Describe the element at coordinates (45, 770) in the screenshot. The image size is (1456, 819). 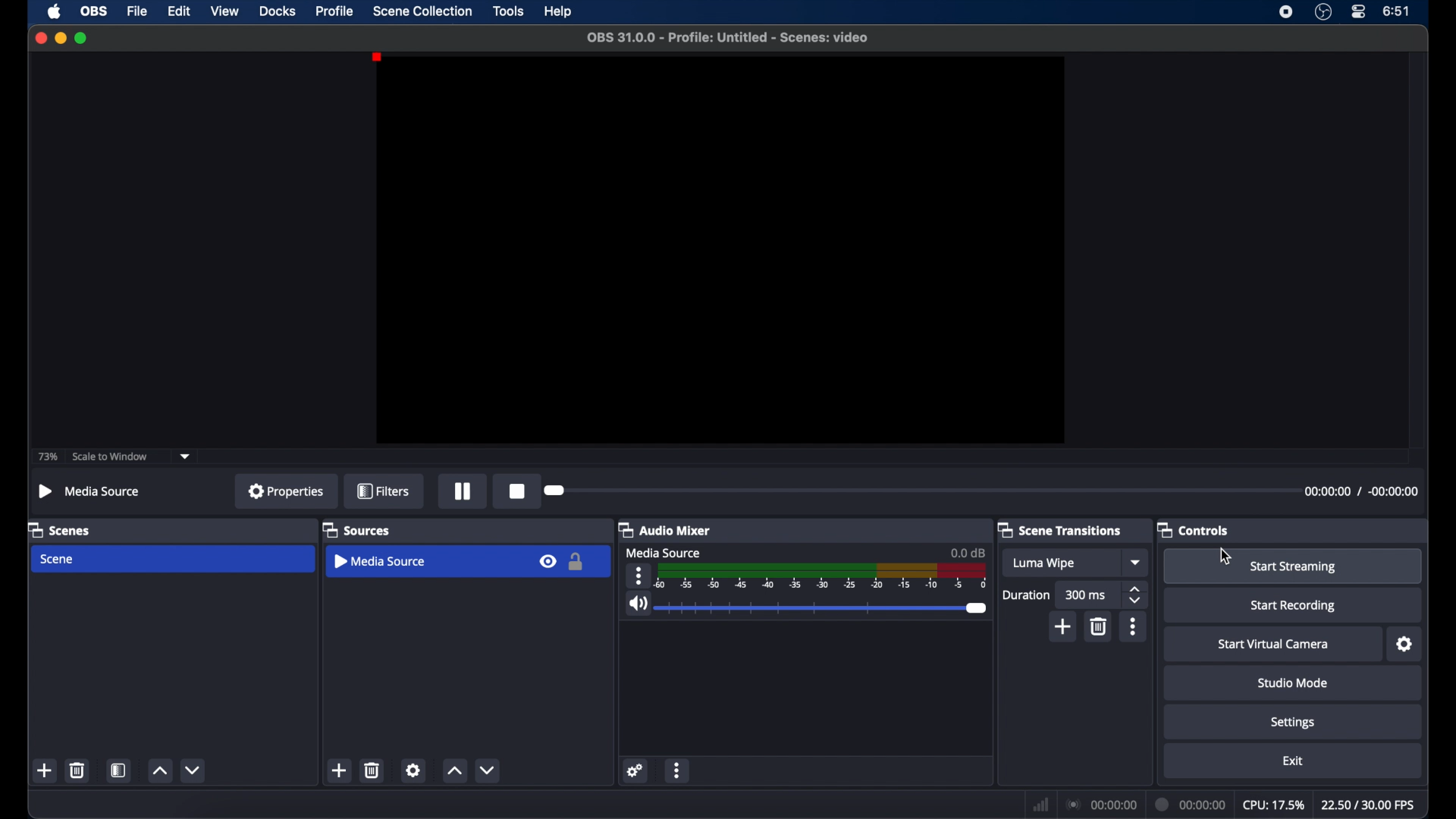
I see `add` at that location.